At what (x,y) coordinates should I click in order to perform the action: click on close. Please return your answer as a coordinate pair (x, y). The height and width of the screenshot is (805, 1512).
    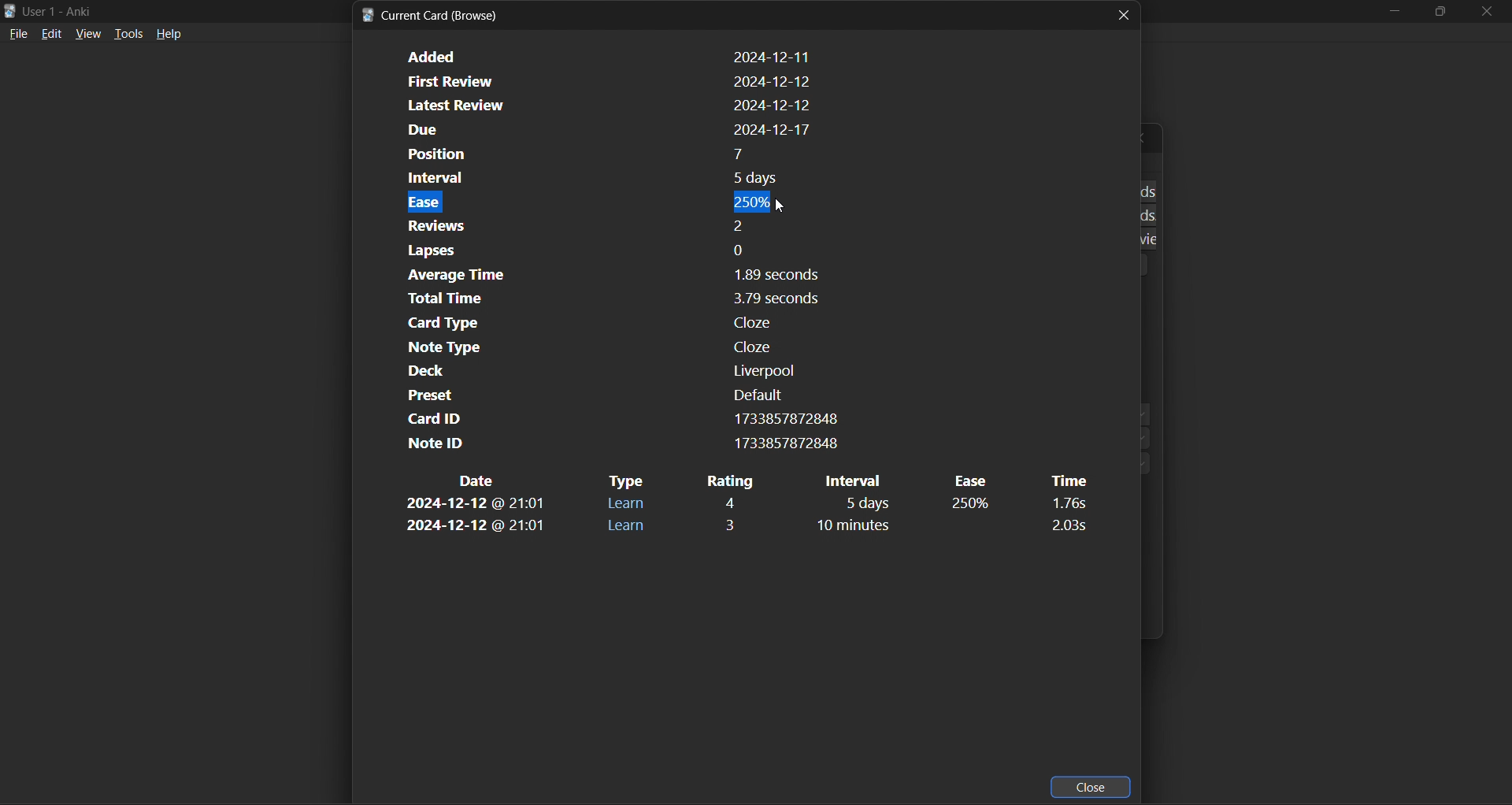
    Looking at the image, I should click on (1092, 786).